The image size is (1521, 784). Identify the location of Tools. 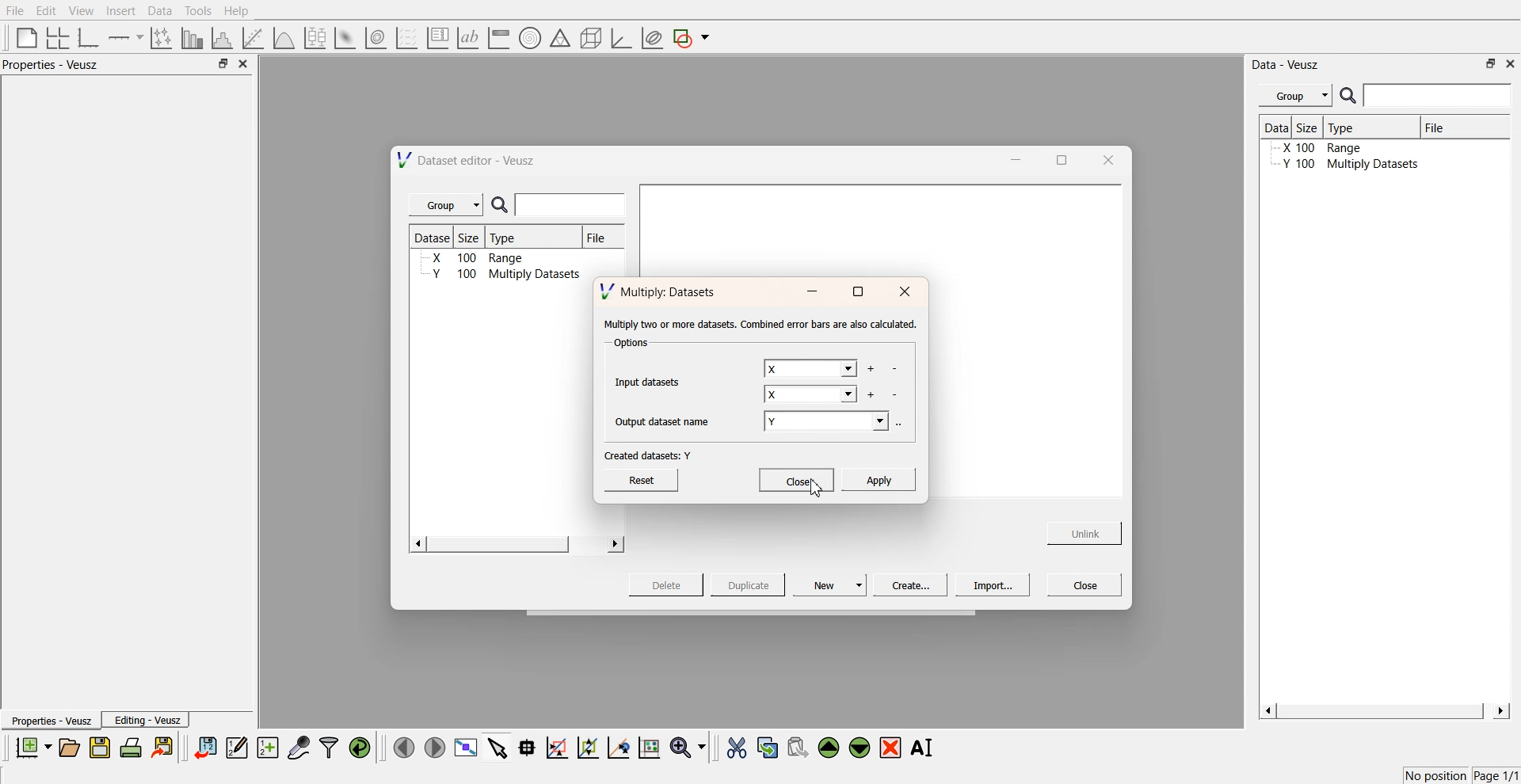
(196, 10).